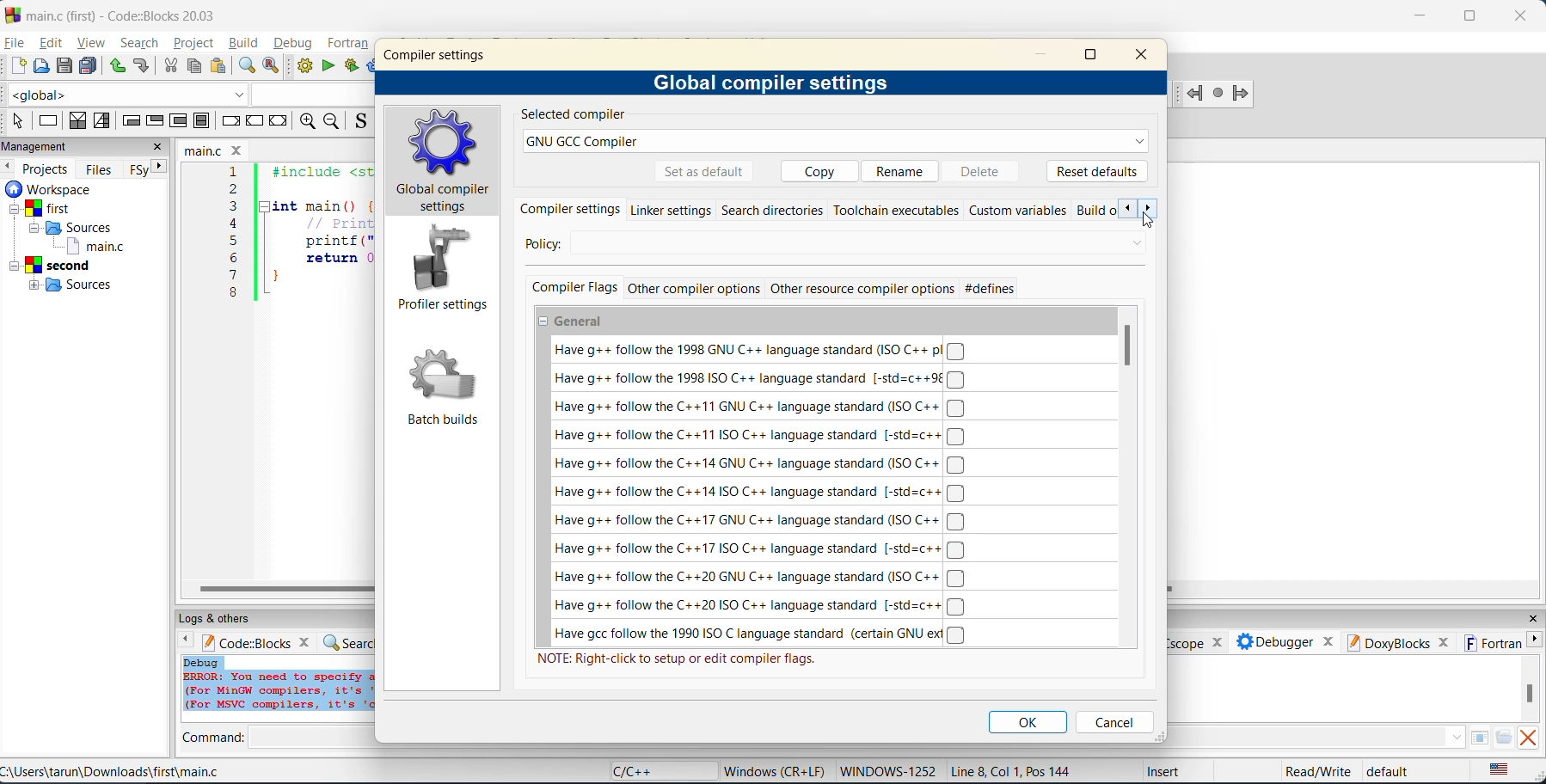 This screenshot has width=1546, height=784. Describe the element at coordinates (763, 634) in the screenshot. I see `Have gcc follow the 1990 1SO C language standard certain GNU ext` at that location.